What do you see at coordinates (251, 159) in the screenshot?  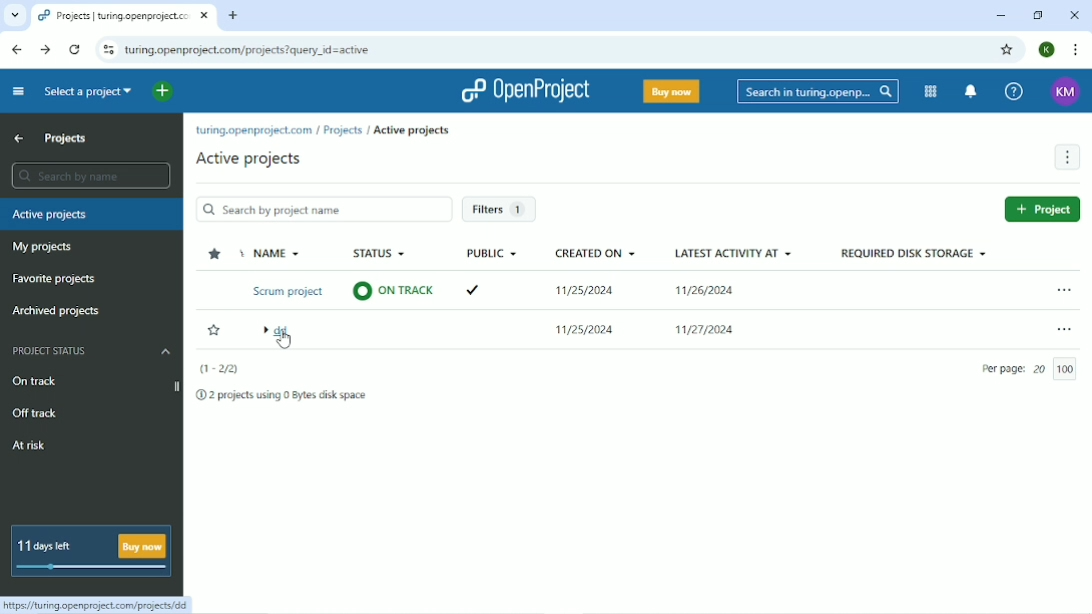 I see `Active projects` at bounding box center [251, 159].